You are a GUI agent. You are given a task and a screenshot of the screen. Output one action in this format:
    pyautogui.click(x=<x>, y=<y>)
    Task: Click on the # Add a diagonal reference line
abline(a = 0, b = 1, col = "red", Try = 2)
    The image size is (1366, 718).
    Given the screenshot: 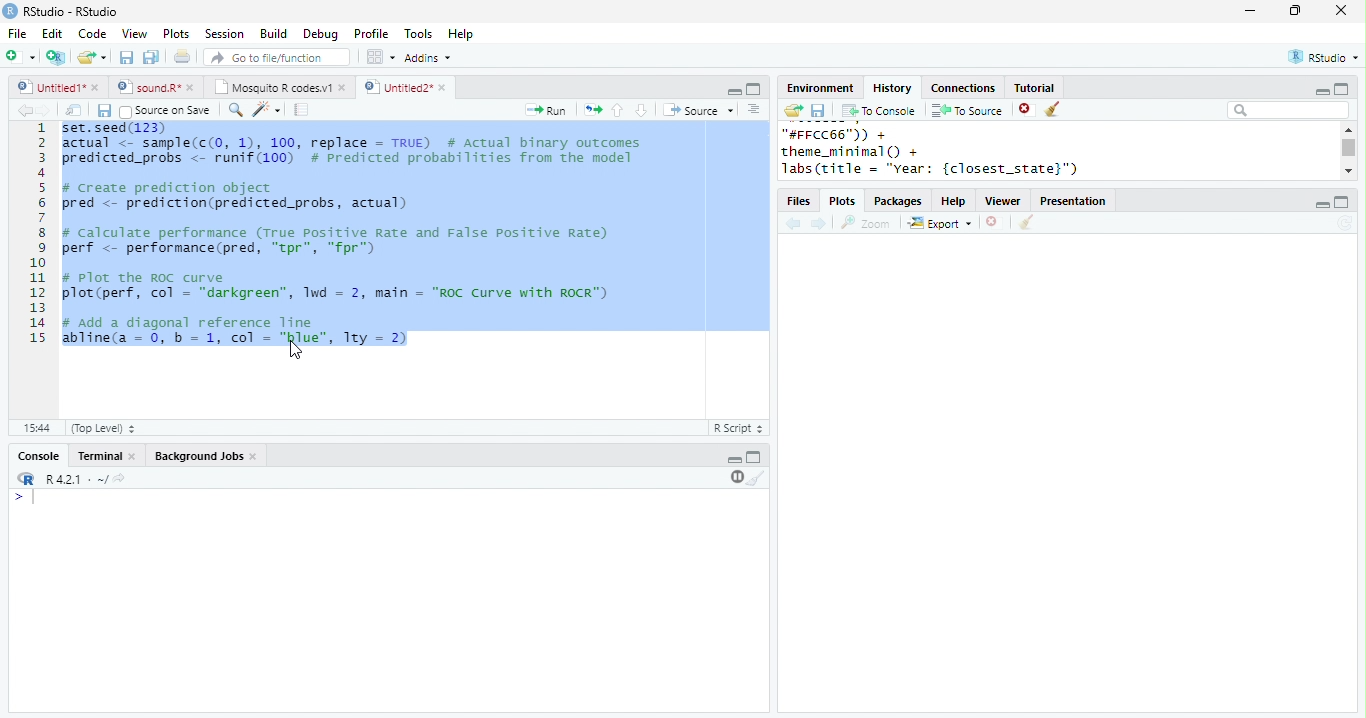 What is the action you would take?
    pyautogui.click(x=234, y=330)
    